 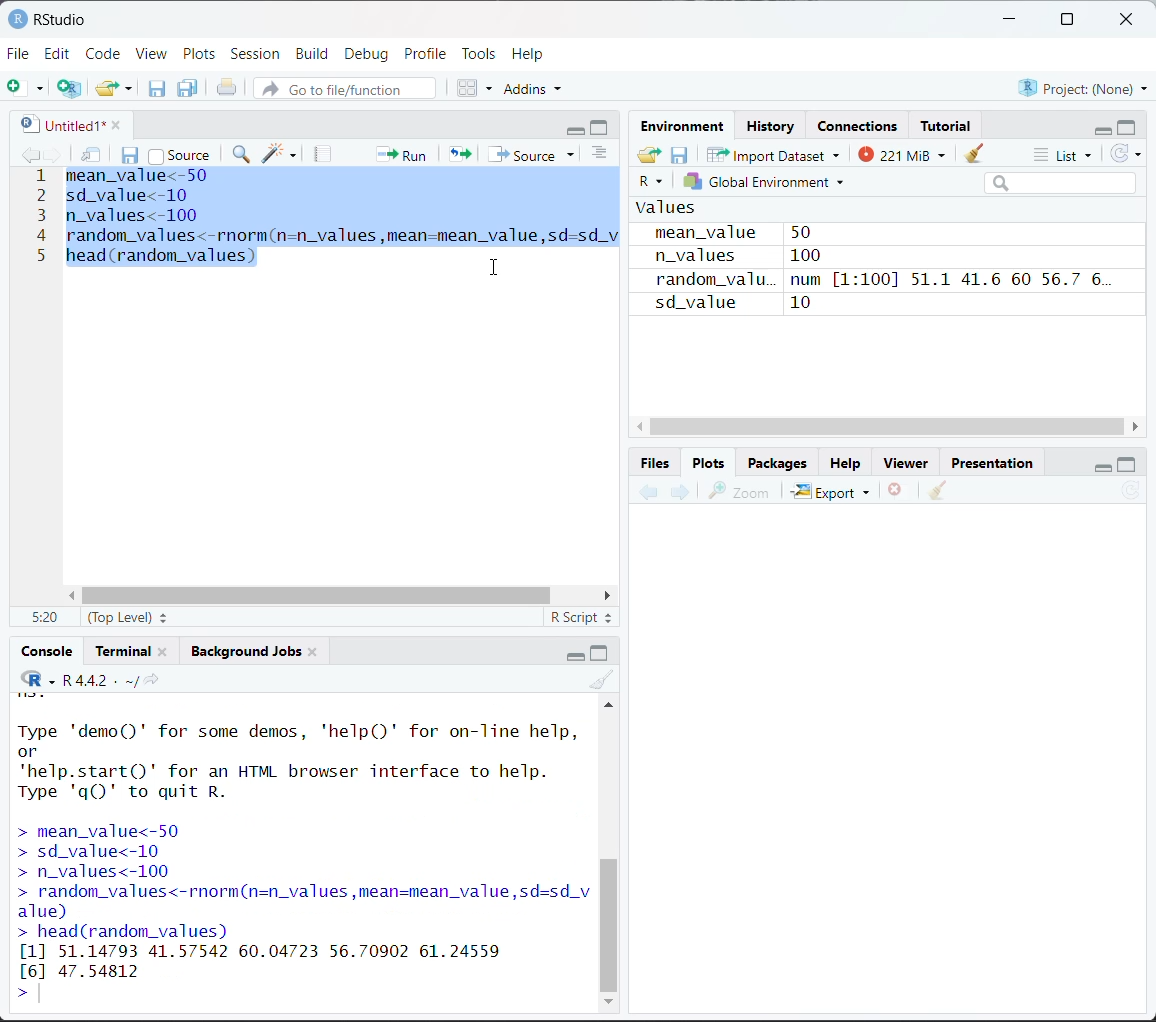 I want to click on Global environment, so click(x=765, y=182).